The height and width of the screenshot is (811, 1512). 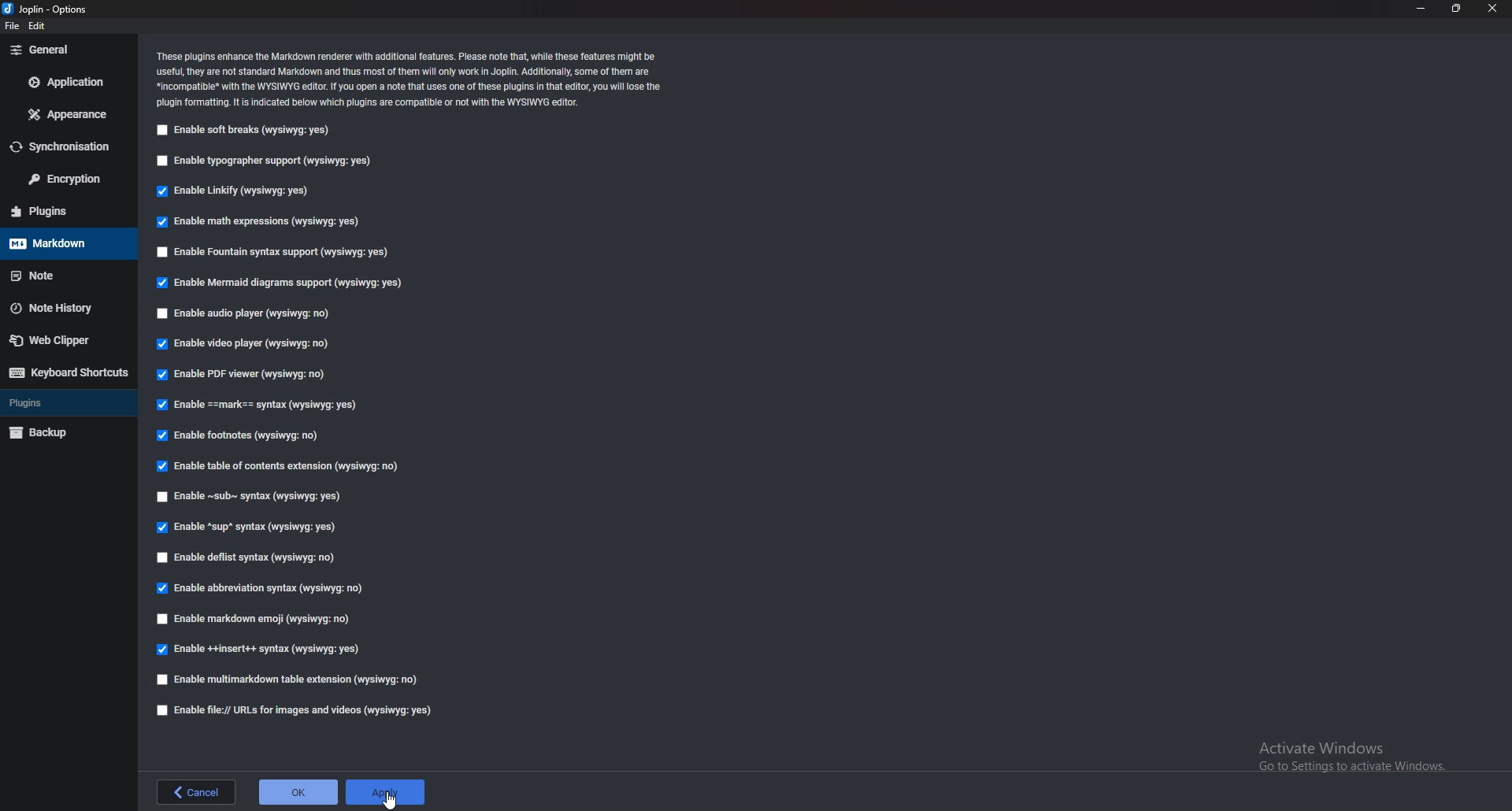 I want to click on cursor, so click(x=392, y=800).